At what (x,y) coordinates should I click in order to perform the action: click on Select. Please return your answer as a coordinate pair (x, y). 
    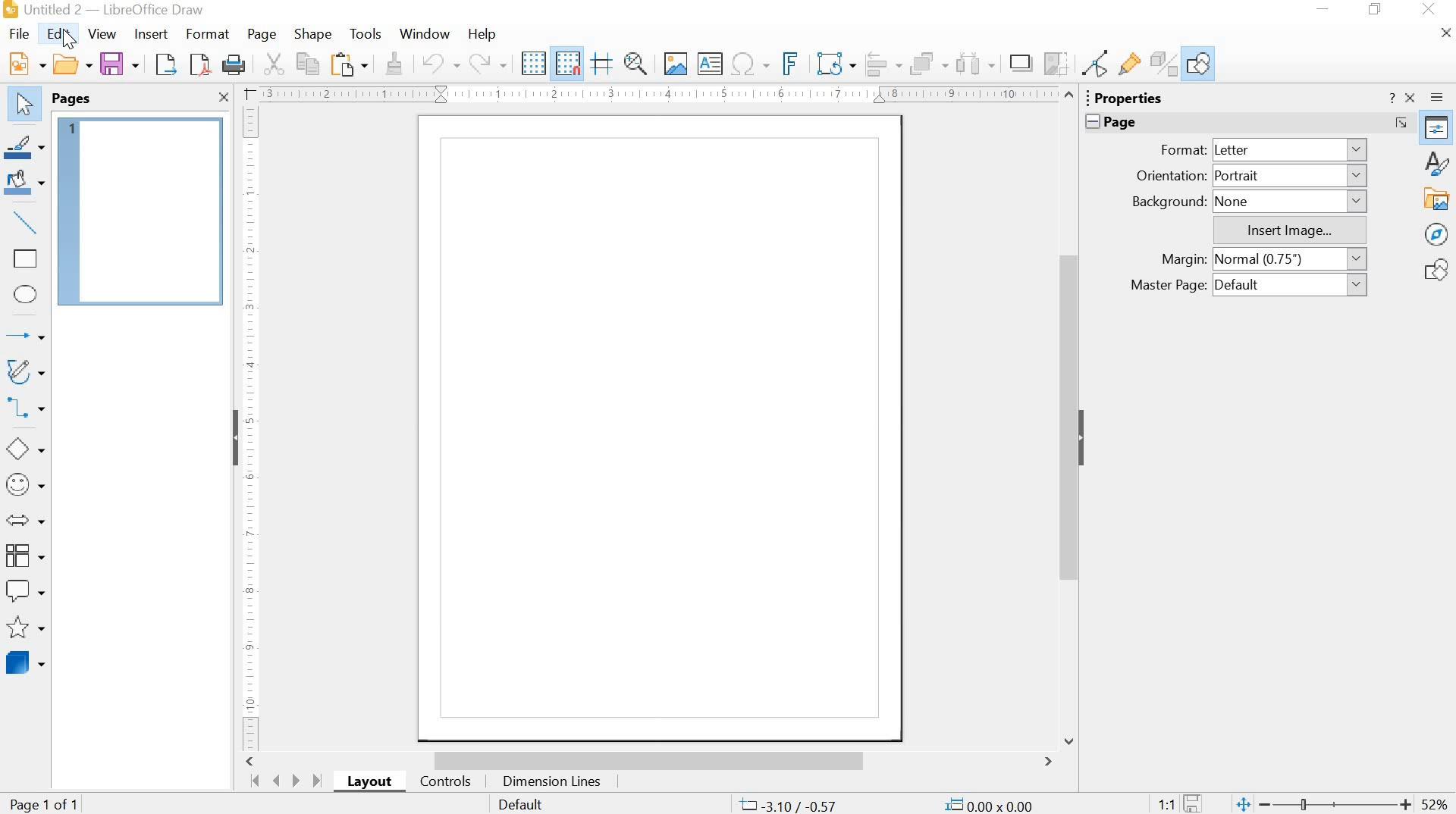
    Looking at the image, I should click on (24, 105).